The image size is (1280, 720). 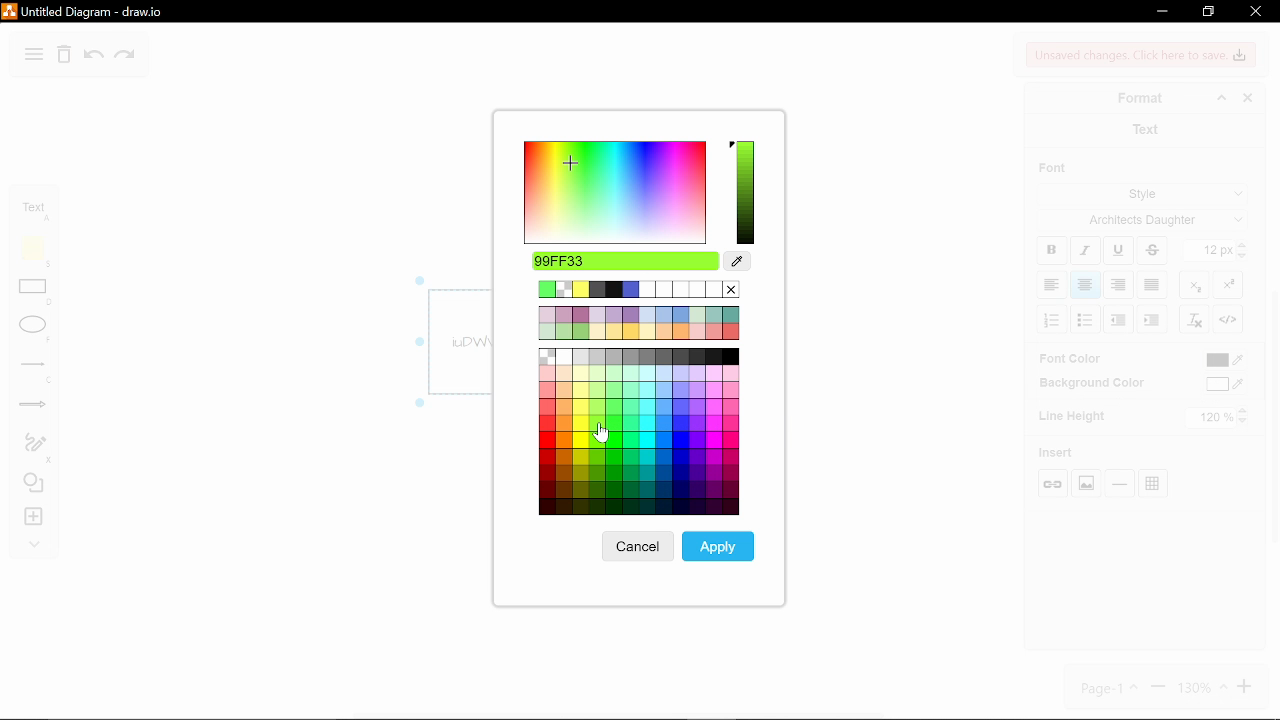 What do you see at coordinates (1208, 13) in the screenshot?
I see `restore down` at bounding box center [1208, 13].